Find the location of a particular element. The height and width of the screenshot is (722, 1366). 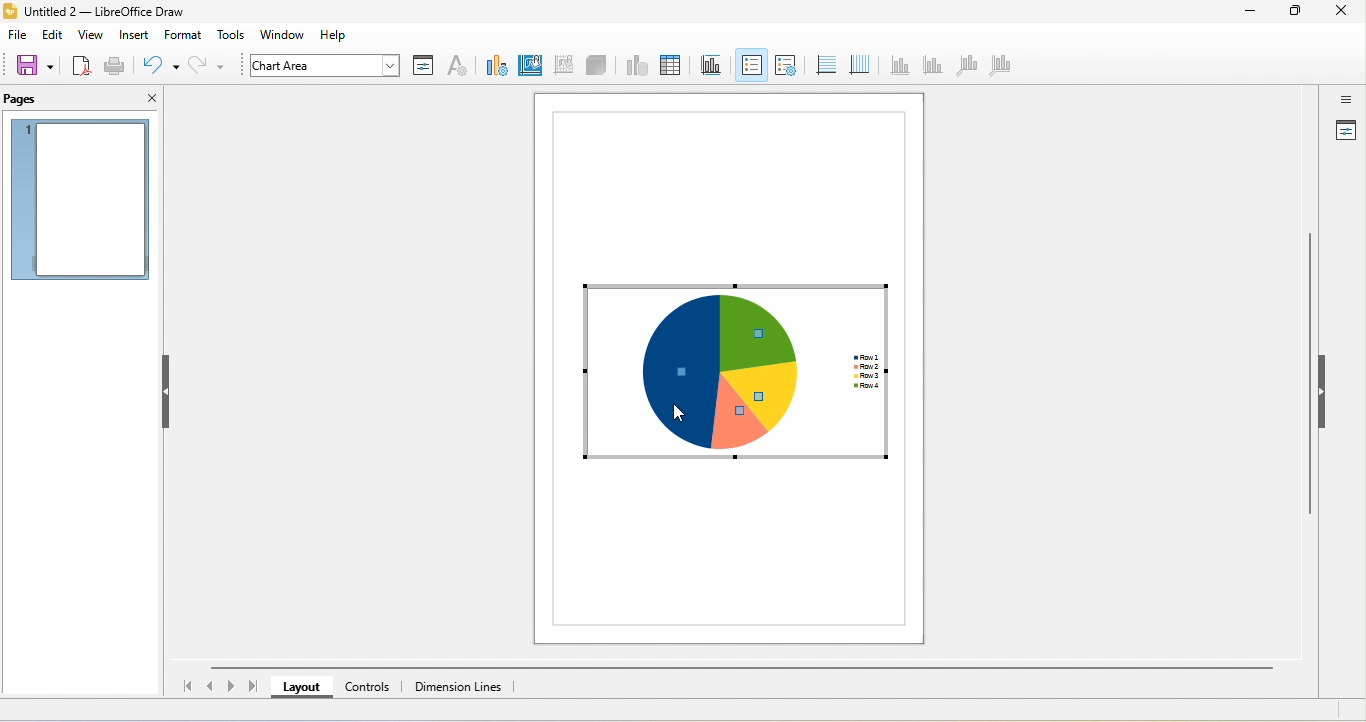

maximize is located at coordinates (1295, 12).